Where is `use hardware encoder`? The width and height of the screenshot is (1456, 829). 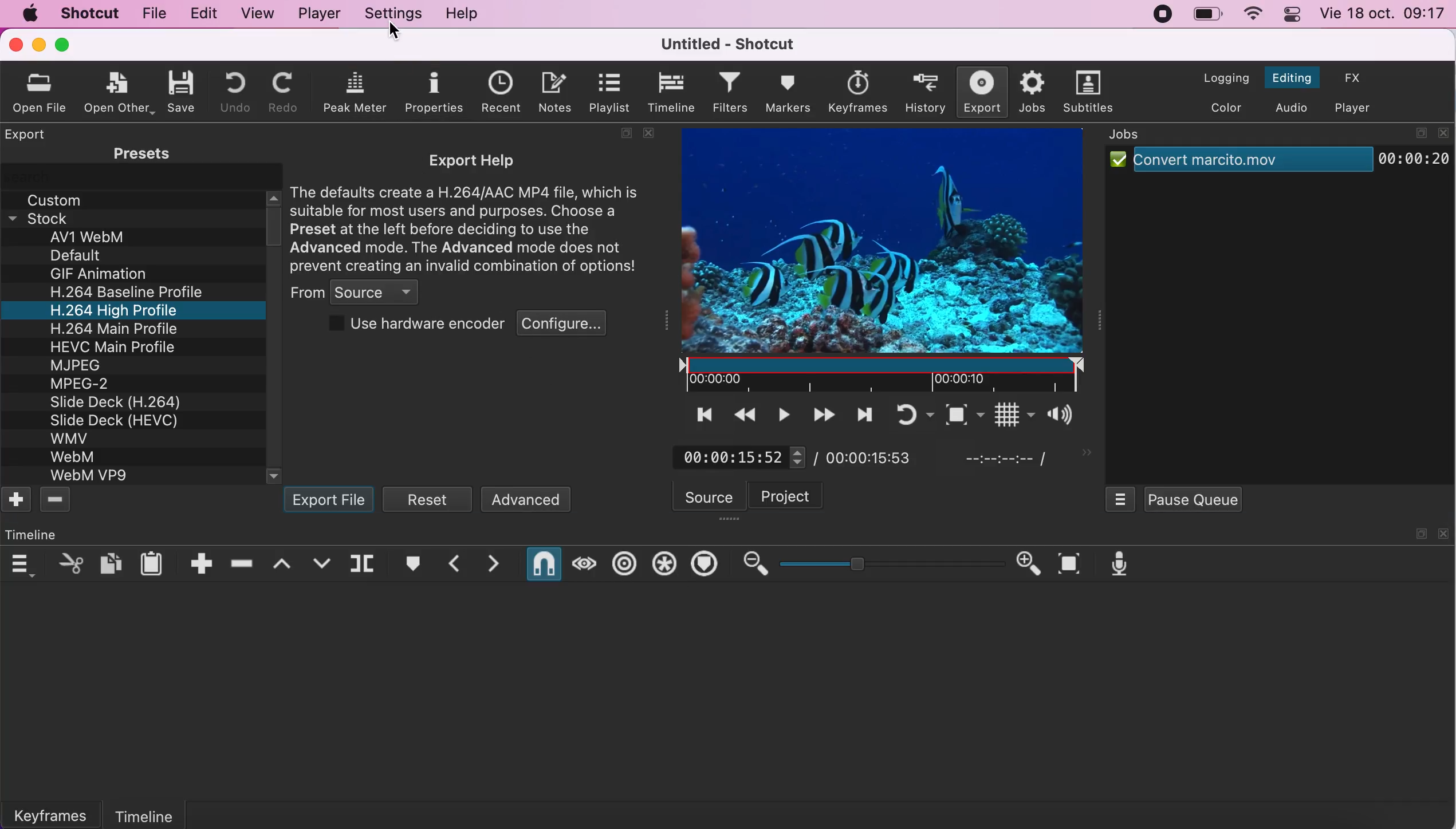
use hardware encoder is located at coordinates (411, 324).